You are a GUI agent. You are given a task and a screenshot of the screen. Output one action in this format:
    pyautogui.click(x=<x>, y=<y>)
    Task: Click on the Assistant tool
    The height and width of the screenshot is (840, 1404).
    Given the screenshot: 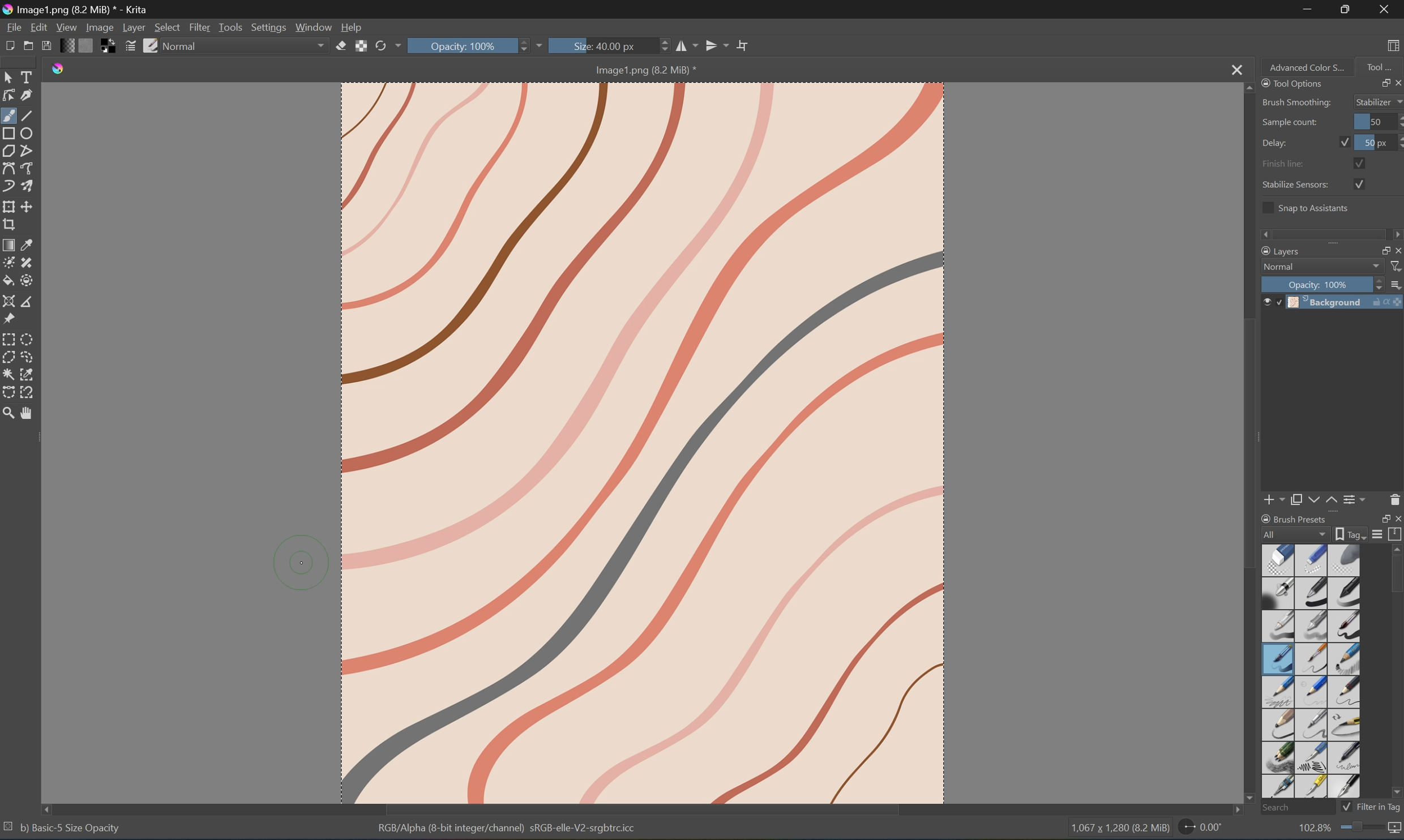 What is the action you would take?
    pyautogui.click(x=10, y=302)
    